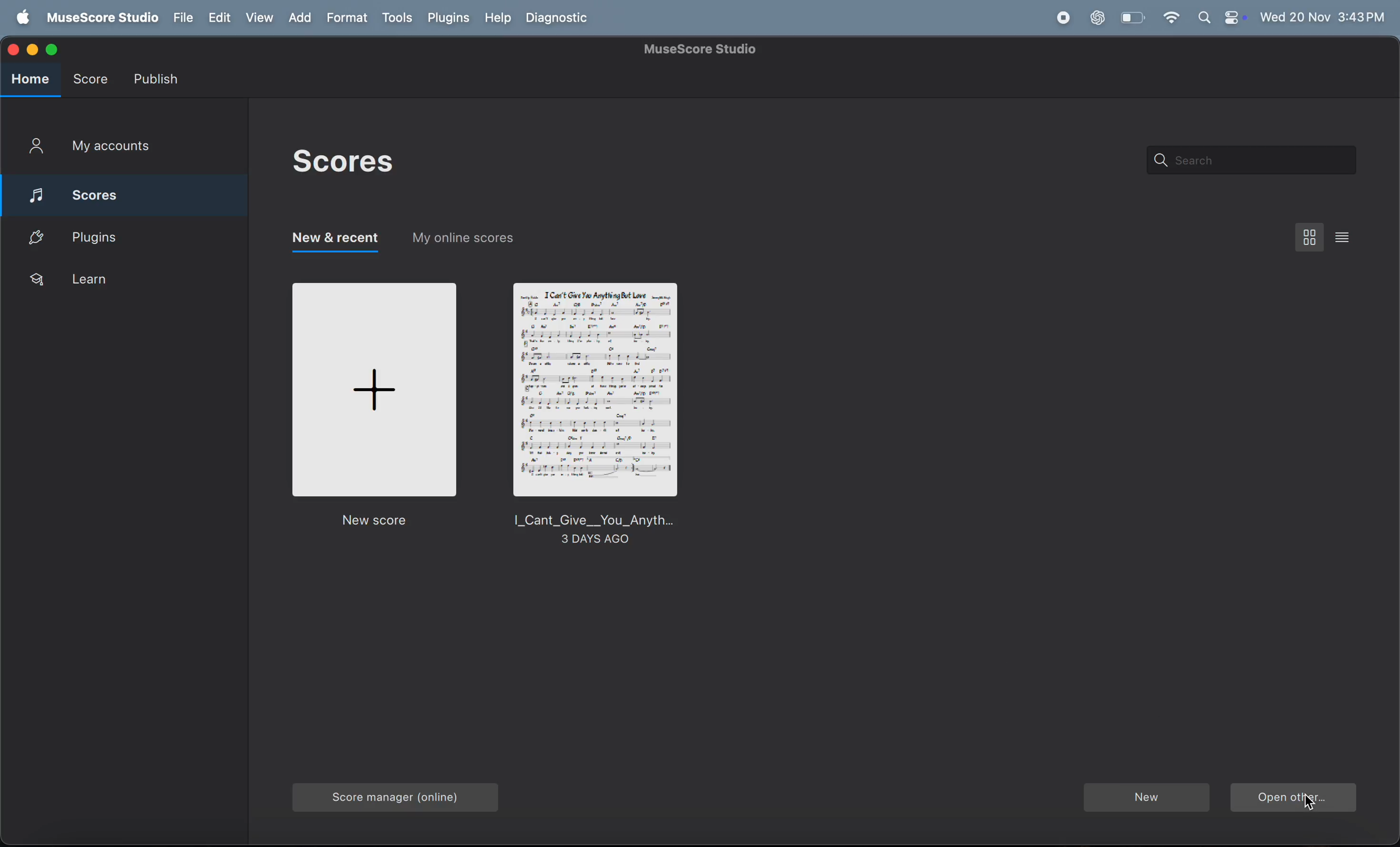 The image size is (1400, 847). What do you see at coordinates (341, 163) in the screenshot?
I see `scores` at bounding box center [341, 163].